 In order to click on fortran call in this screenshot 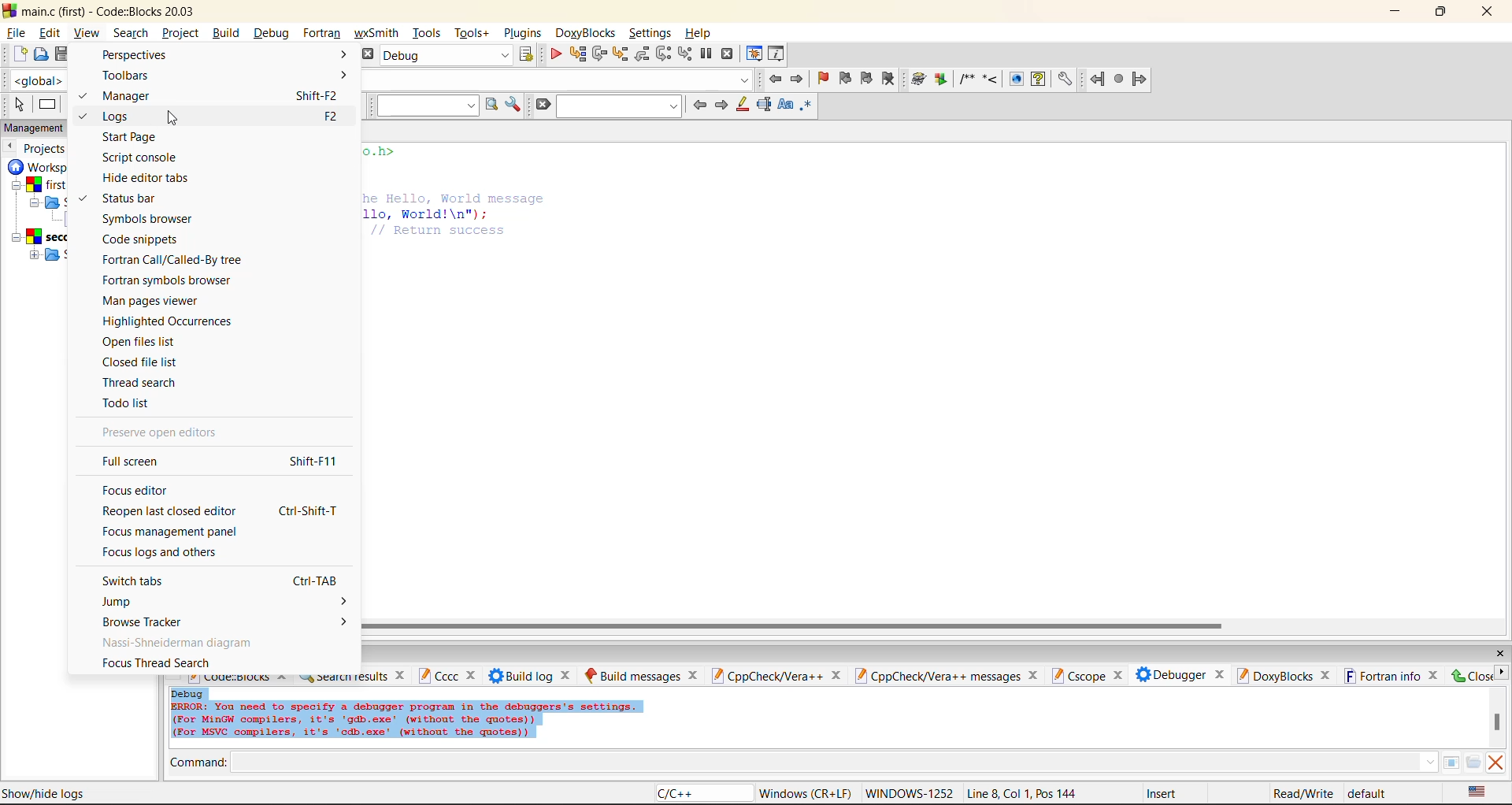, I will do `click(173, 261)`.